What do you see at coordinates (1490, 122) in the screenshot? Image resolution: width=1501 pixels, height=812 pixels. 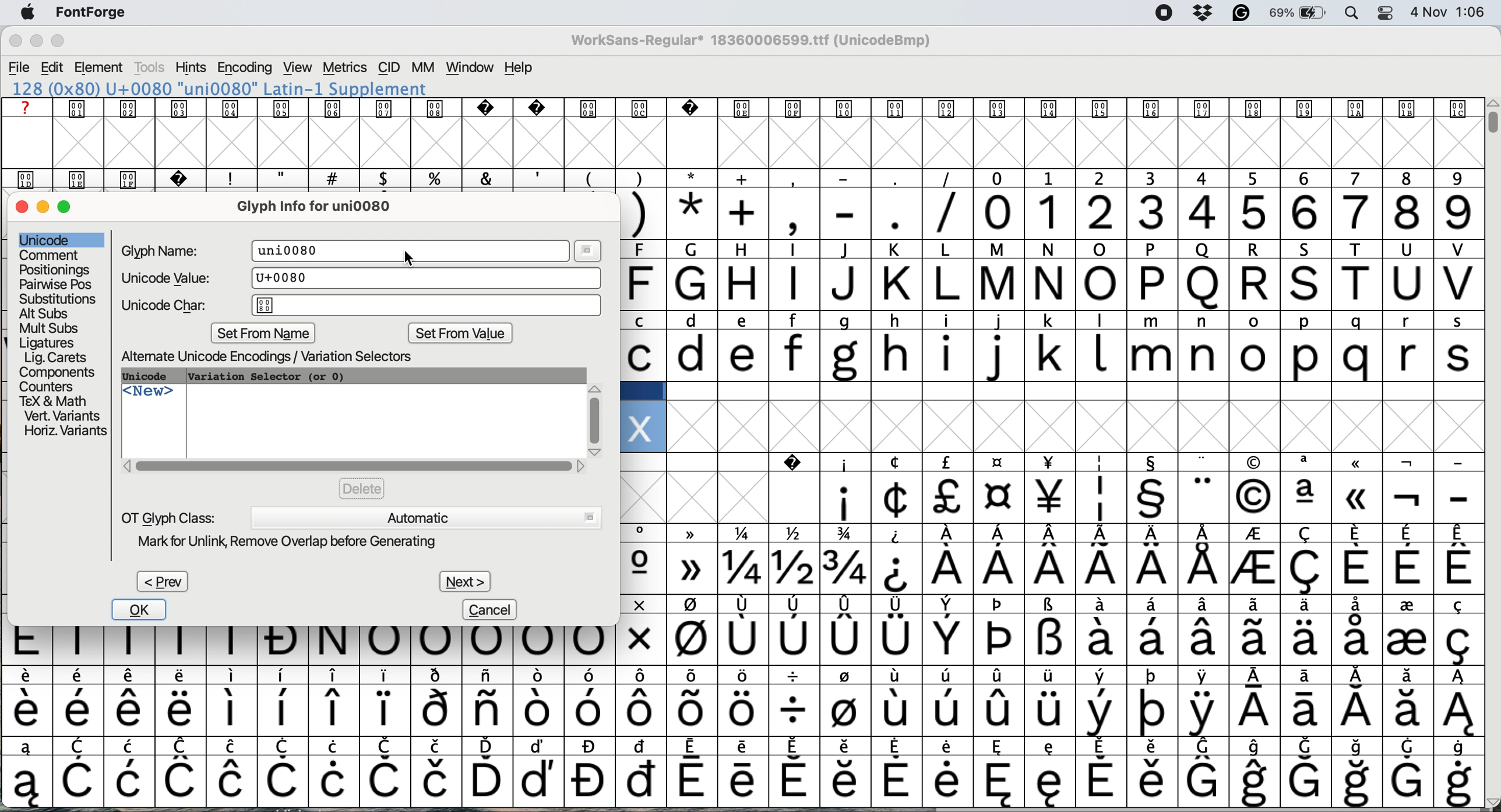 I see `vertical scroll bar` at bounding box center [1490, 122].